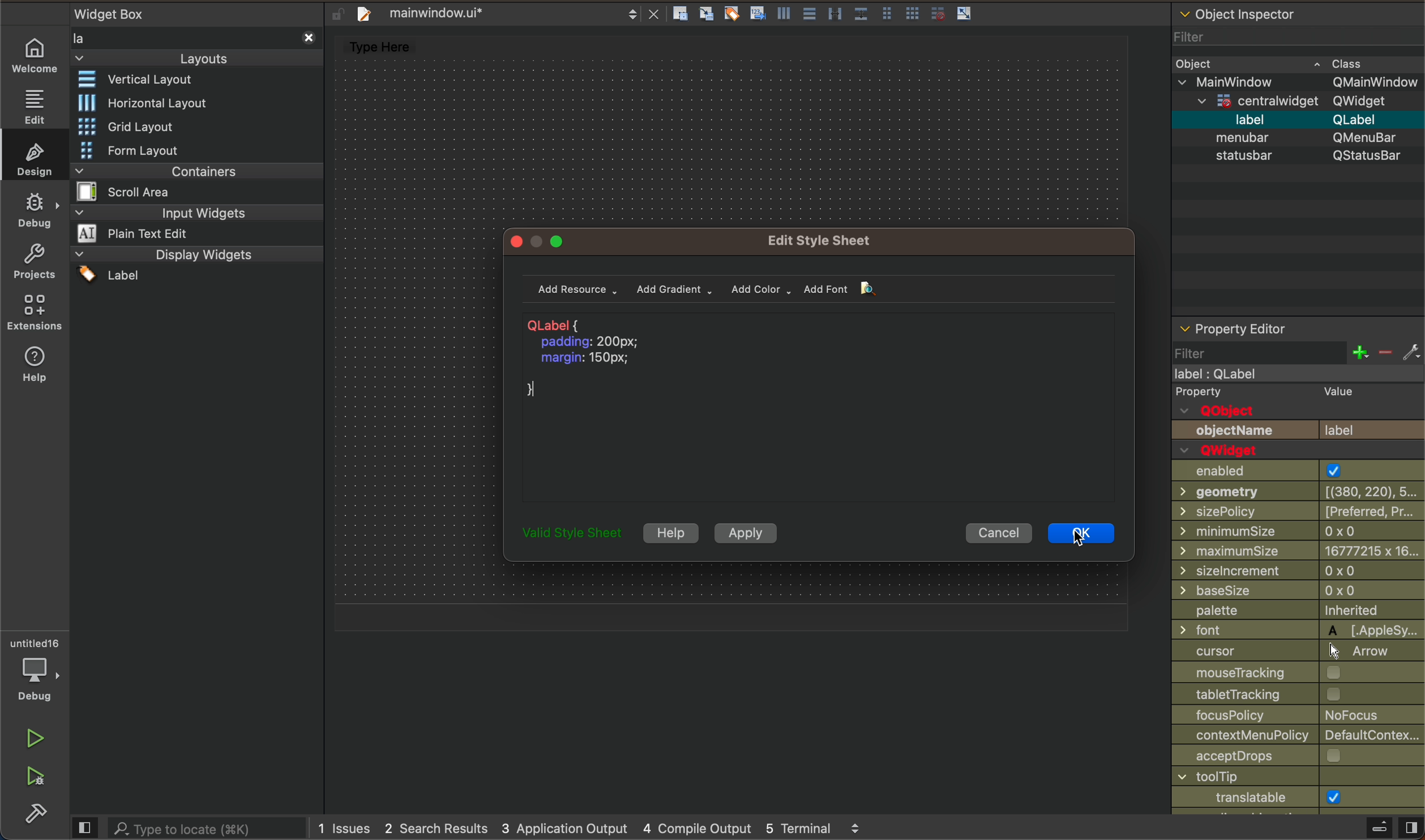  Describe the element at coordinates (1300, 82) in the screenshot. I see `mainwindow` at that location.